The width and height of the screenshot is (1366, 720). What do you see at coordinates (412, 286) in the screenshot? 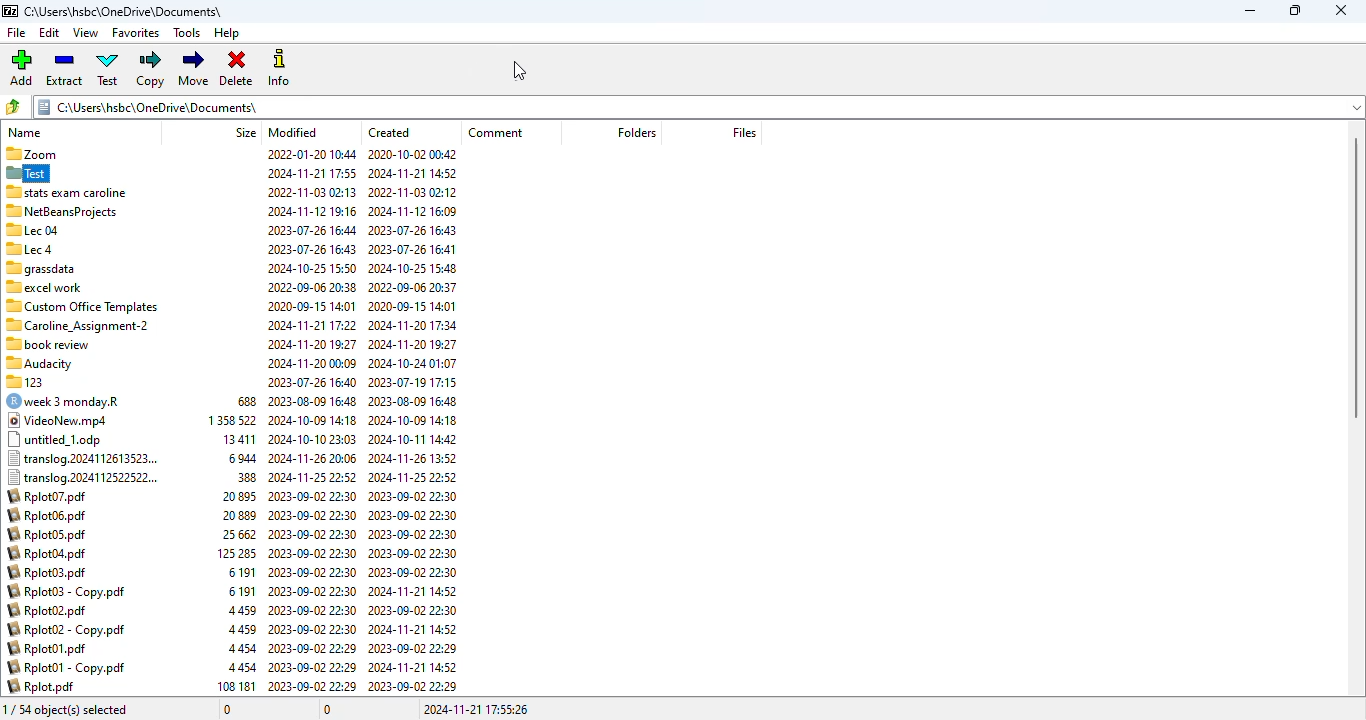
I see `2022-09-06 20:37` at bounding box center [412, 286].